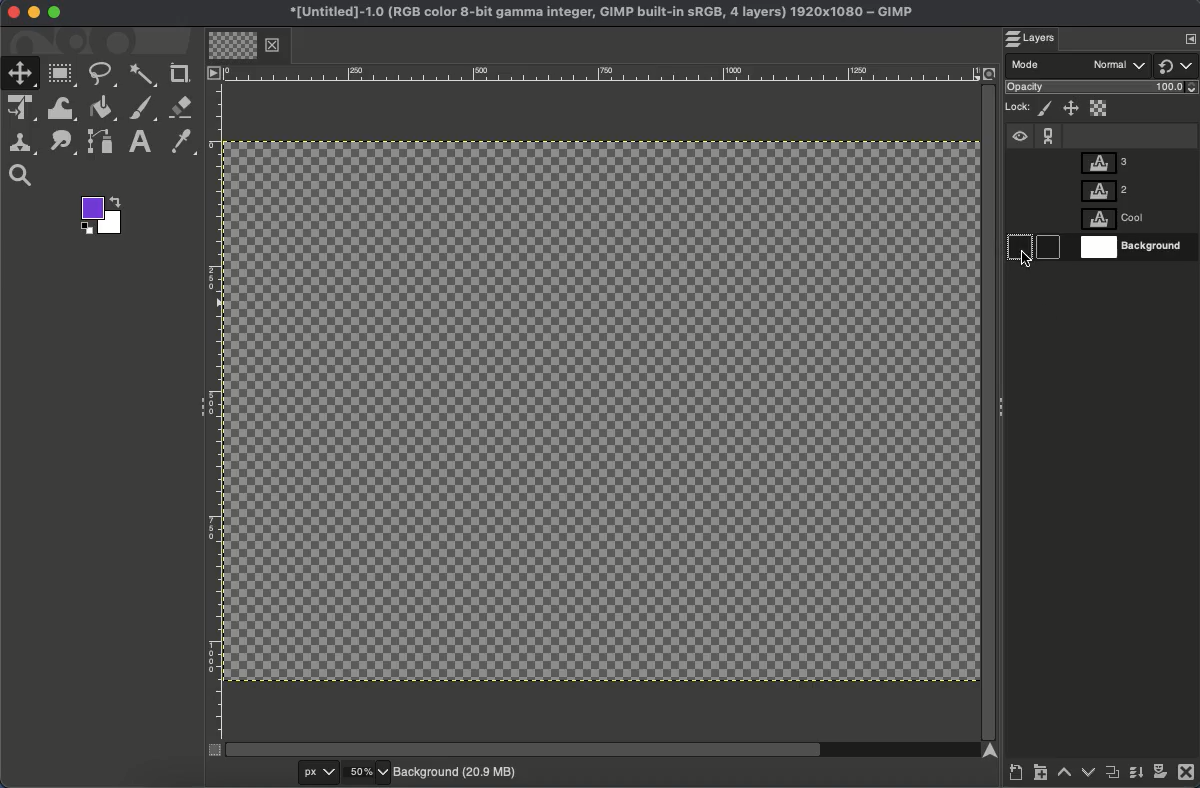  What do you see at coordinates (214, 412) in the screenshot?
I see `Ruler` at bounding box center [214, 412].